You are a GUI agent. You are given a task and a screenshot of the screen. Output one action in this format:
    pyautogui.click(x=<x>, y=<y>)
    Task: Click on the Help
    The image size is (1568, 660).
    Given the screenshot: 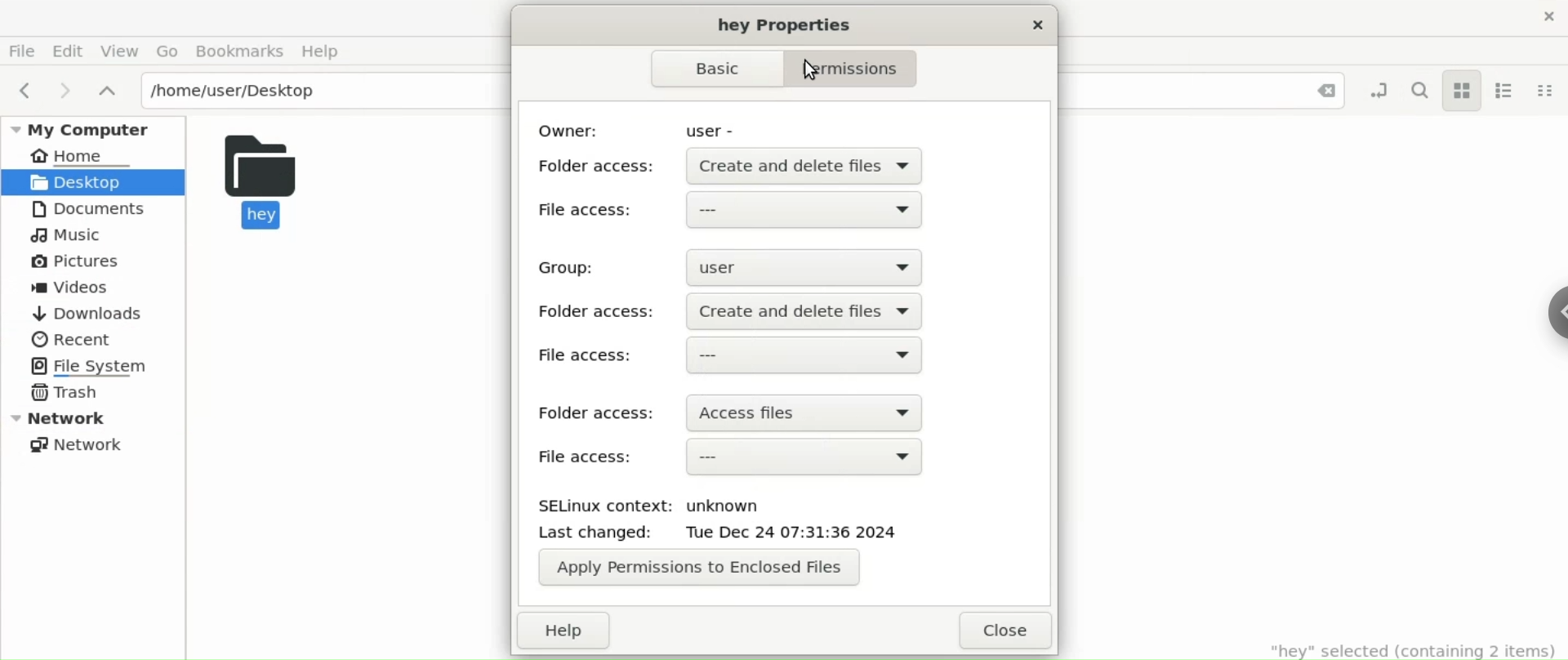 What is the action you would take?
    pyautogui.click(x=321, y=51)
    